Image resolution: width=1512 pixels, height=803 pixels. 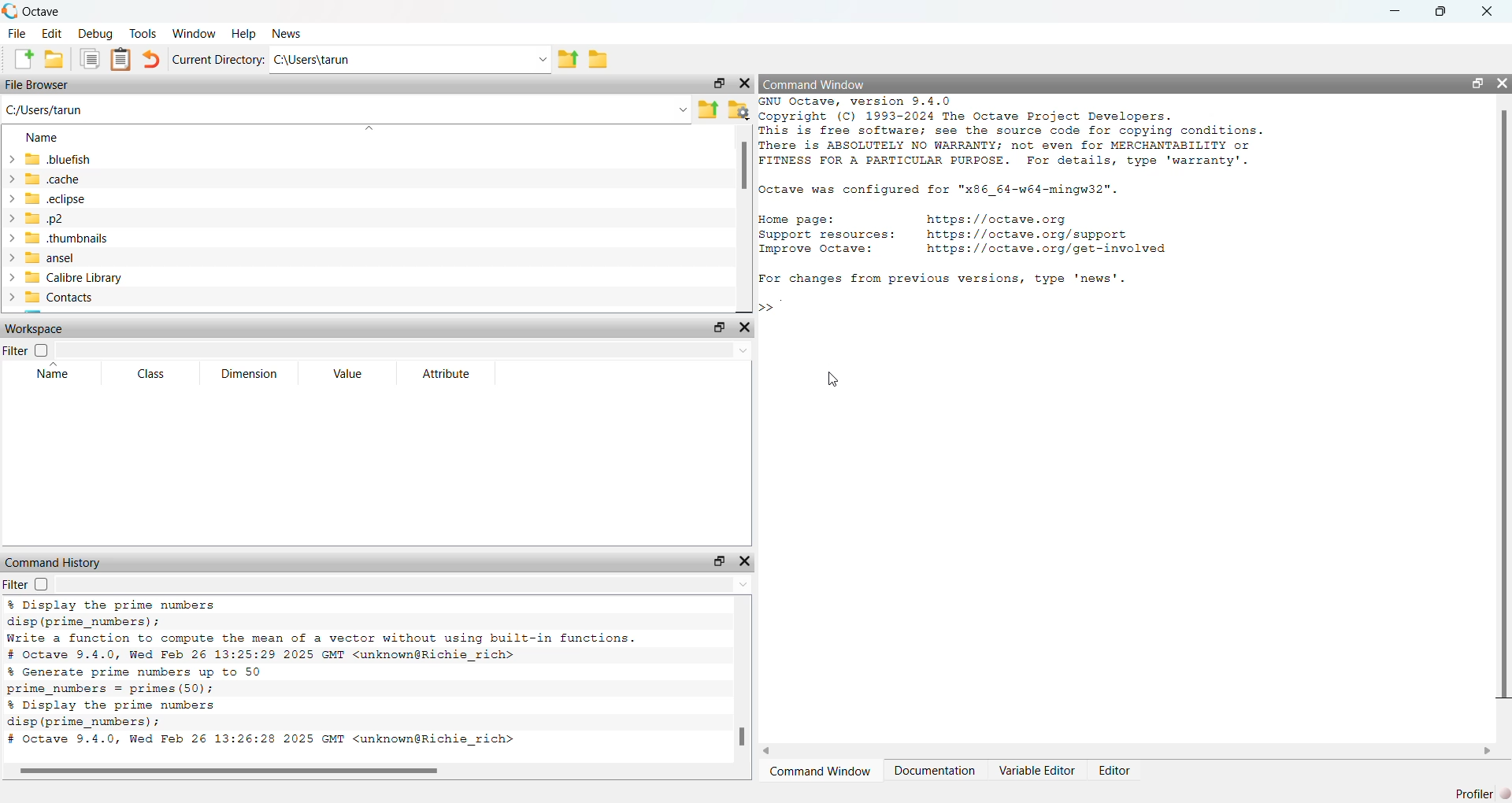 What do you see at coordinates (1503, 83) in the screenshot?
I see `close` at bounding box center [1503, 83].